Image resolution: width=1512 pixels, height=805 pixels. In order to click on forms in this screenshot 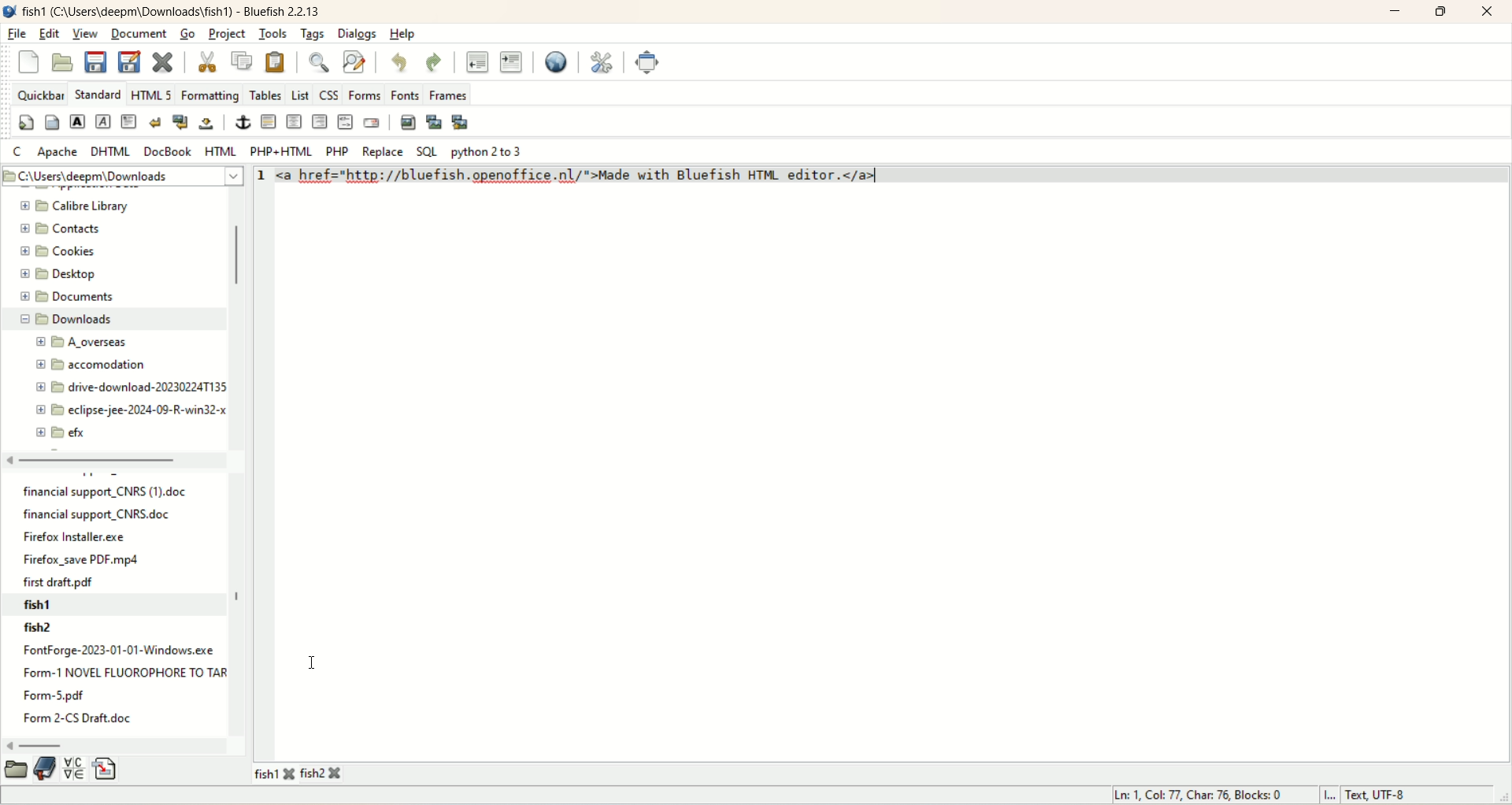, I will do `click(365, 94)`.